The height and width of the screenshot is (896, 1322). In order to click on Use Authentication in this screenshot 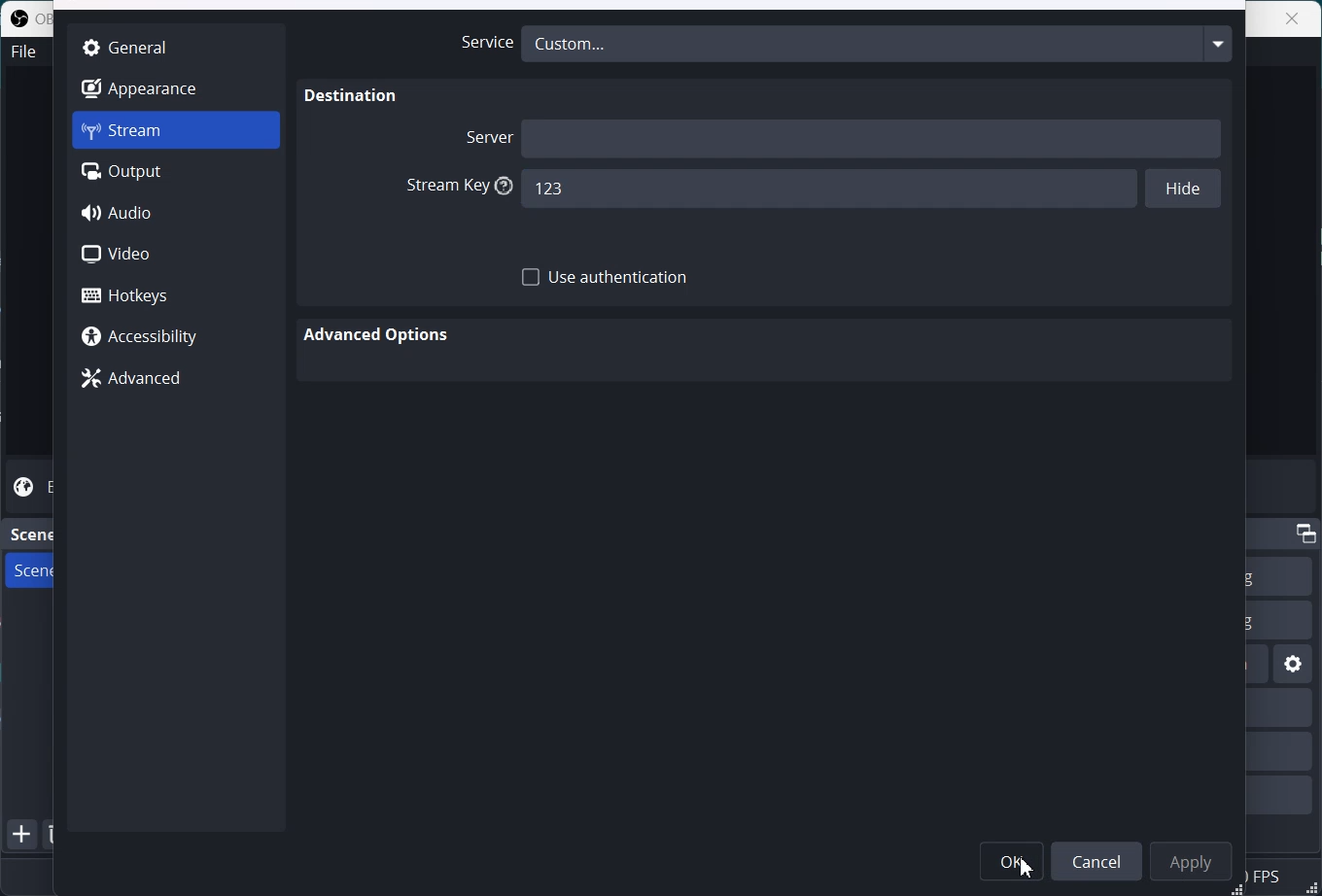, I will do `click(606, 278)`.